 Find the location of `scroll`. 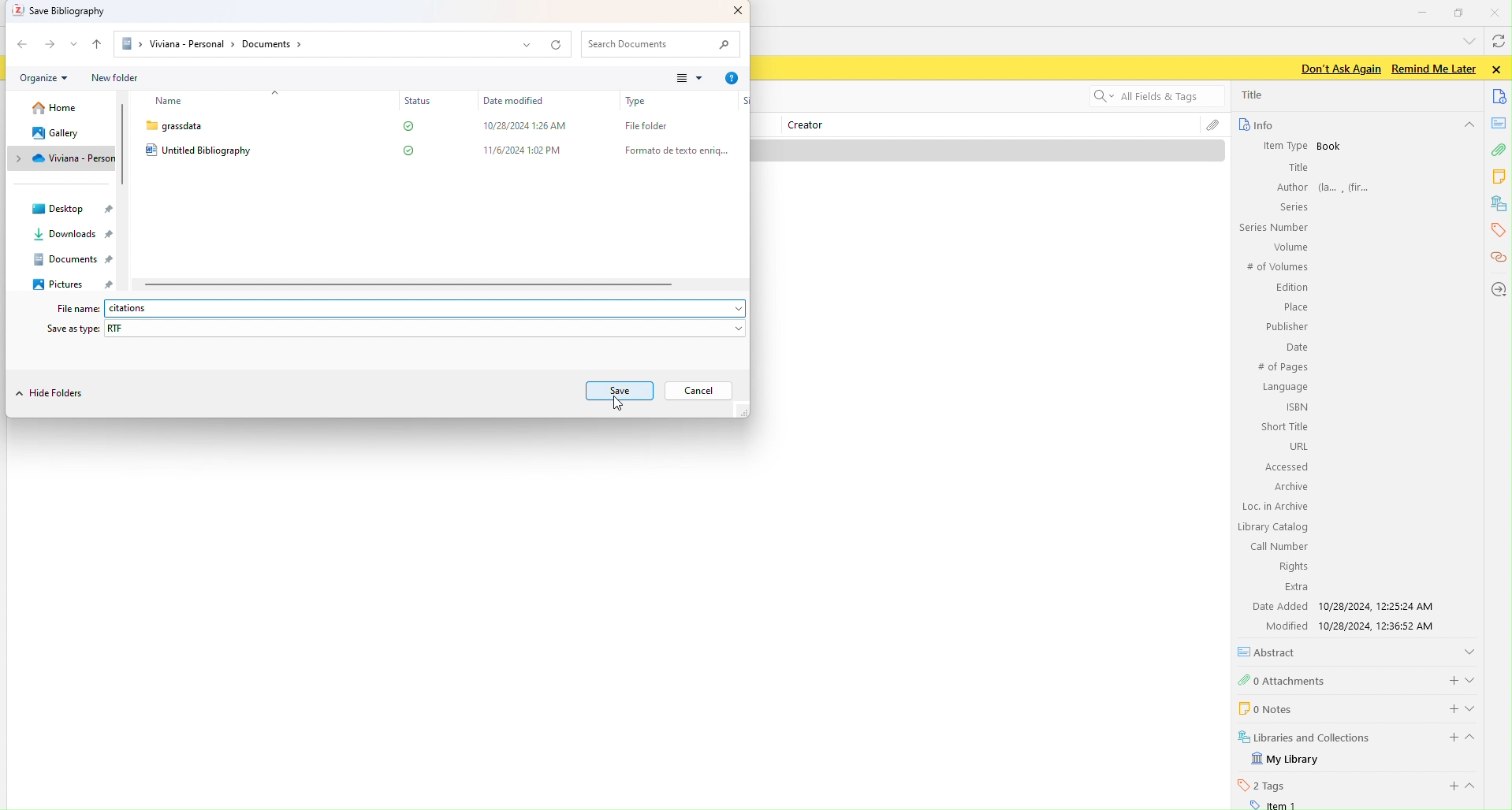

scroll is located at coordinates (126, 145).